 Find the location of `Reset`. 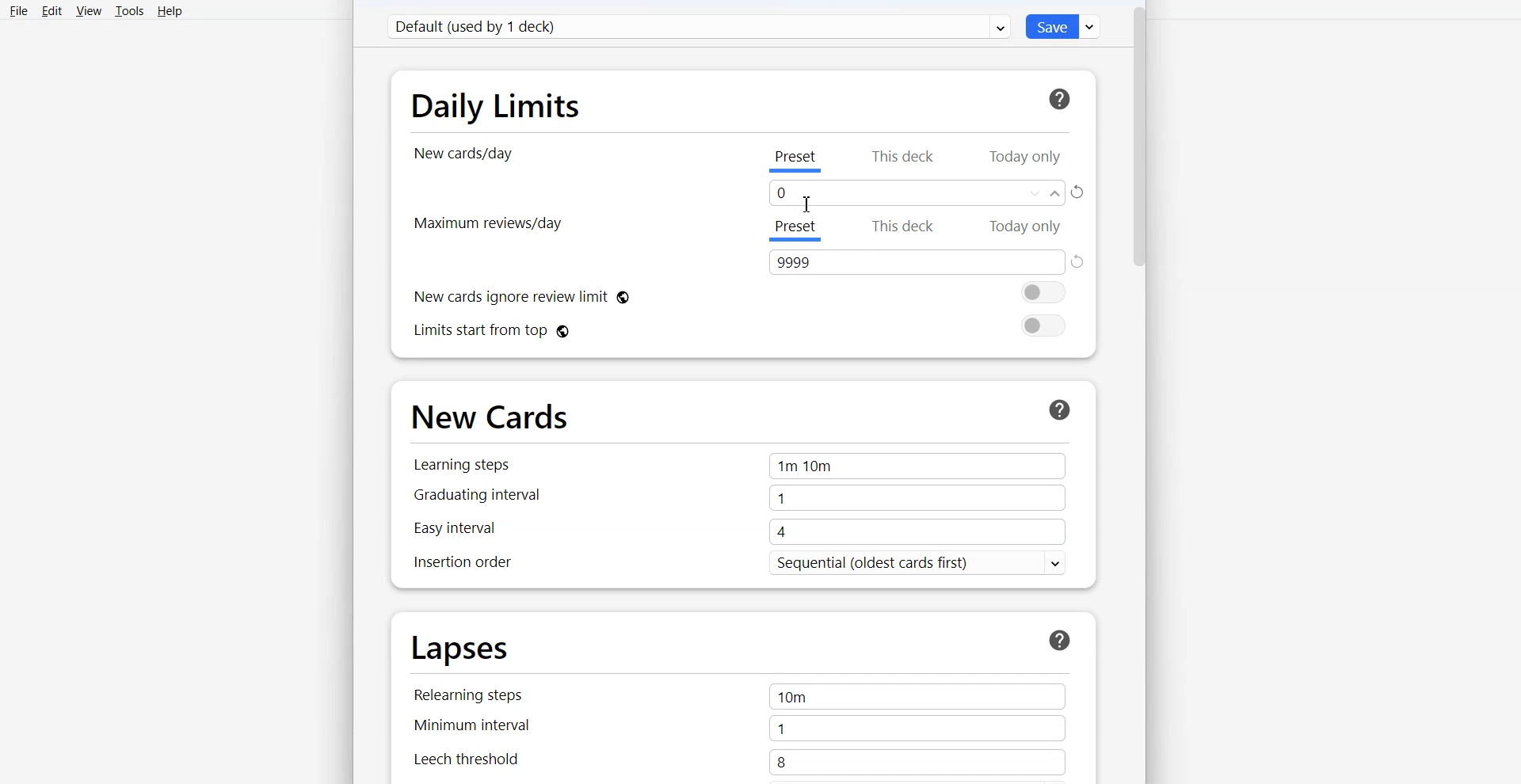

Reset is located at coordinates (1081, 261).